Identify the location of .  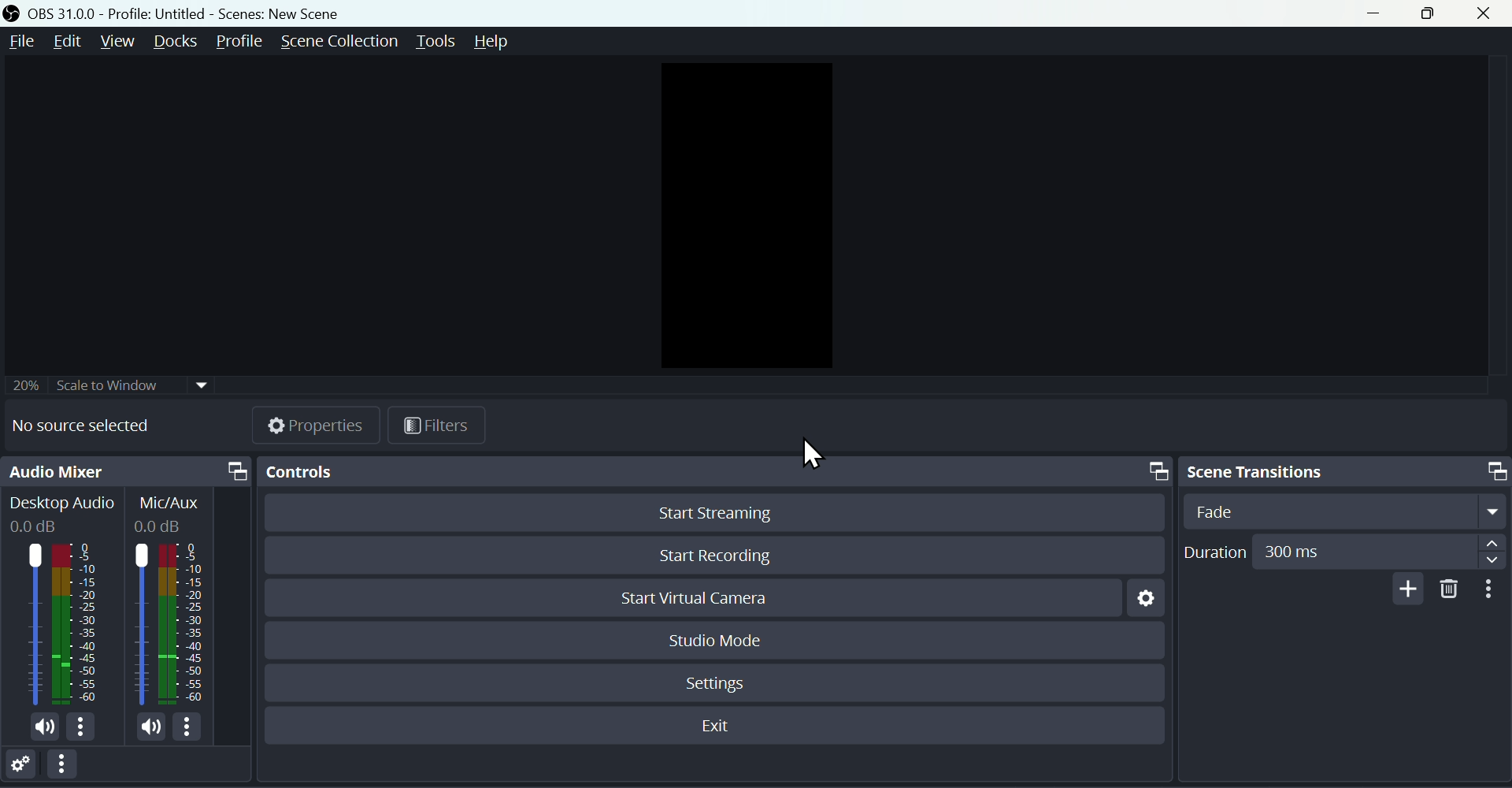
(18, 42).